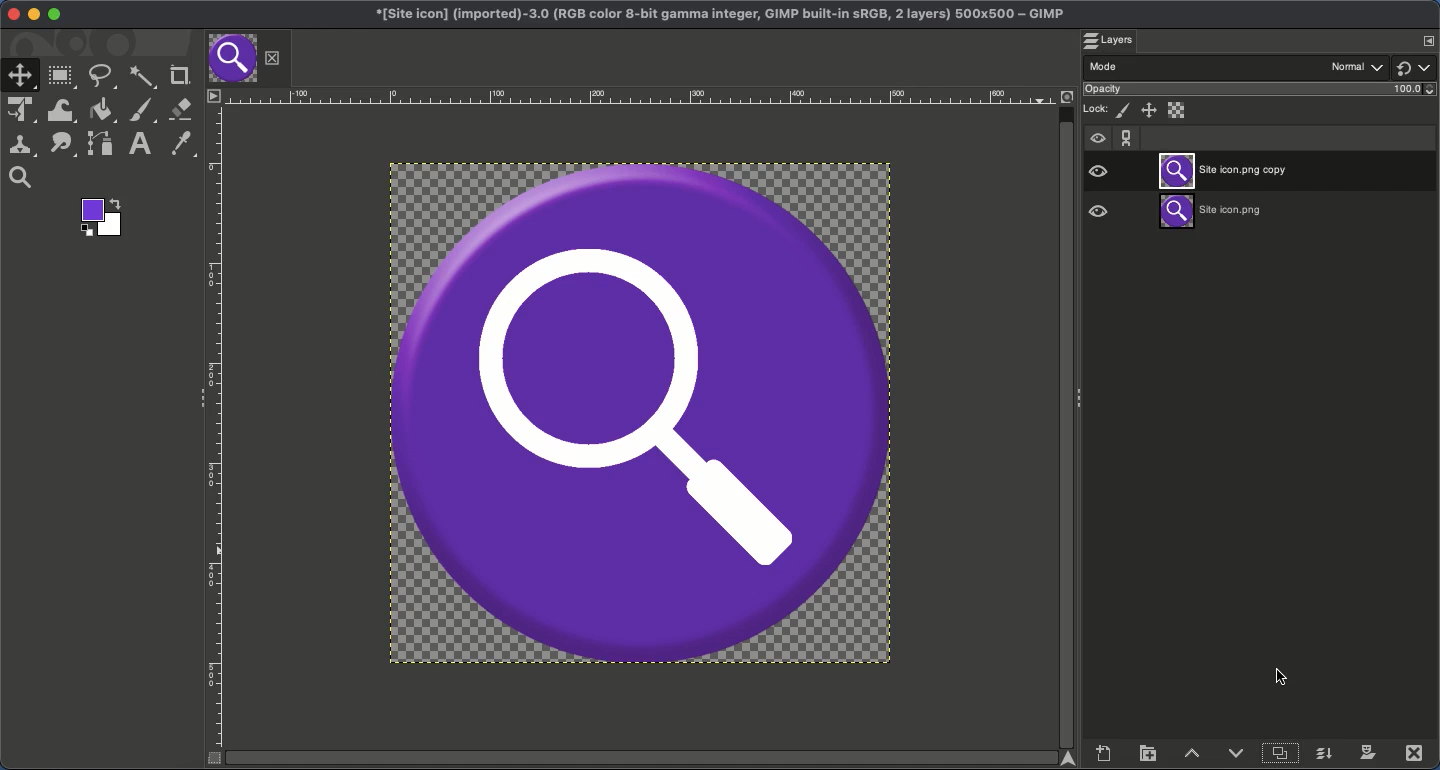 The width and height of the screenshot is (1440, 770). What do you see at coordinates (1285, 677) in the screenshot?
I see `cursor` at bounding box center [1285, 677].